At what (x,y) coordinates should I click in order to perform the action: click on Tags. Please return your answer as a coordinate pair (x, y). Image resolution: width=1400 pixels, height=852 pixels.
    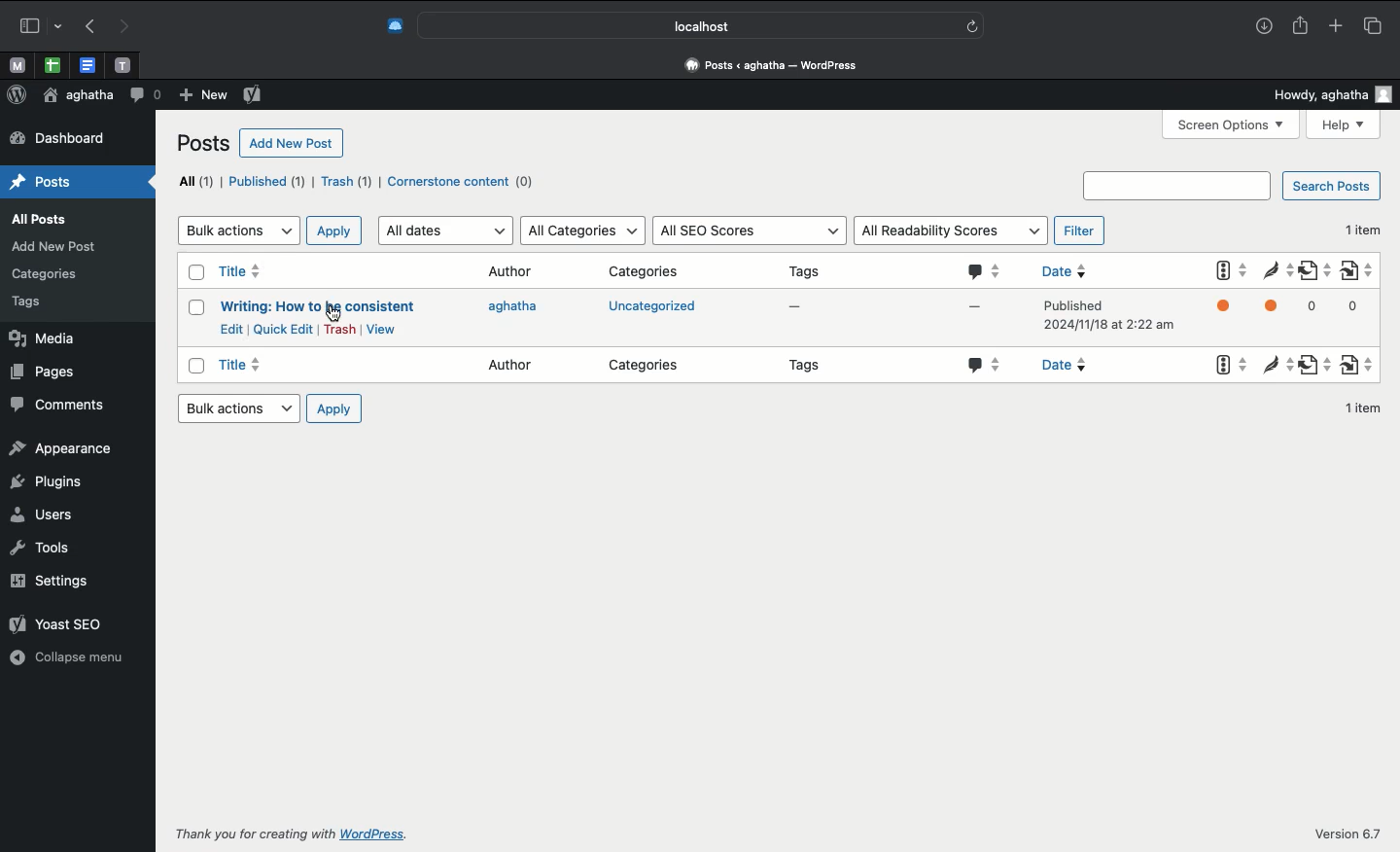
    Looking at the image, I should click on (802, 366).